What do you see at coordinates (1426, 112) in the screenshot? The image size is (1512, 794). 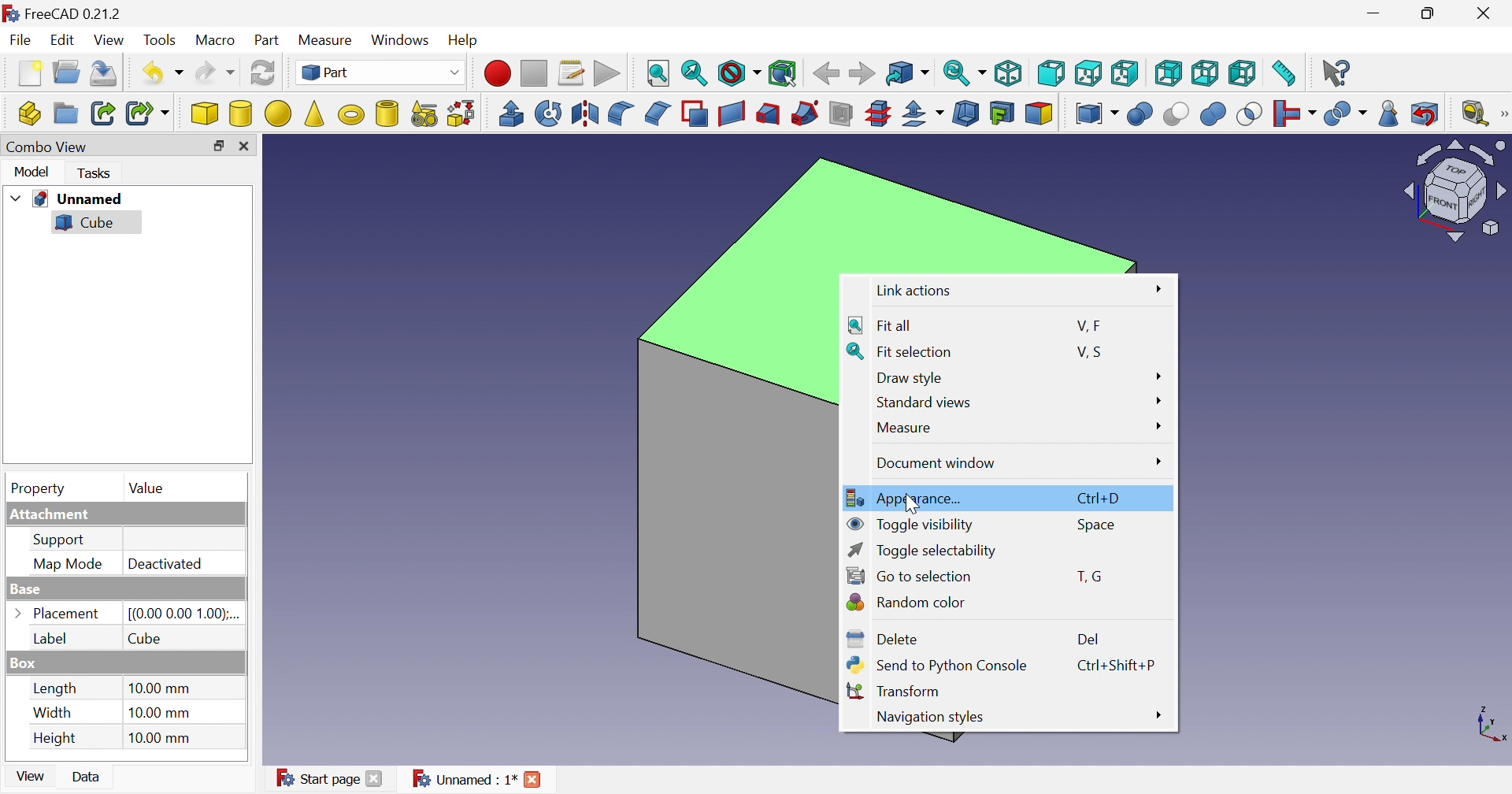 I see `Defeaturing` at bounding box center [1426, 112].